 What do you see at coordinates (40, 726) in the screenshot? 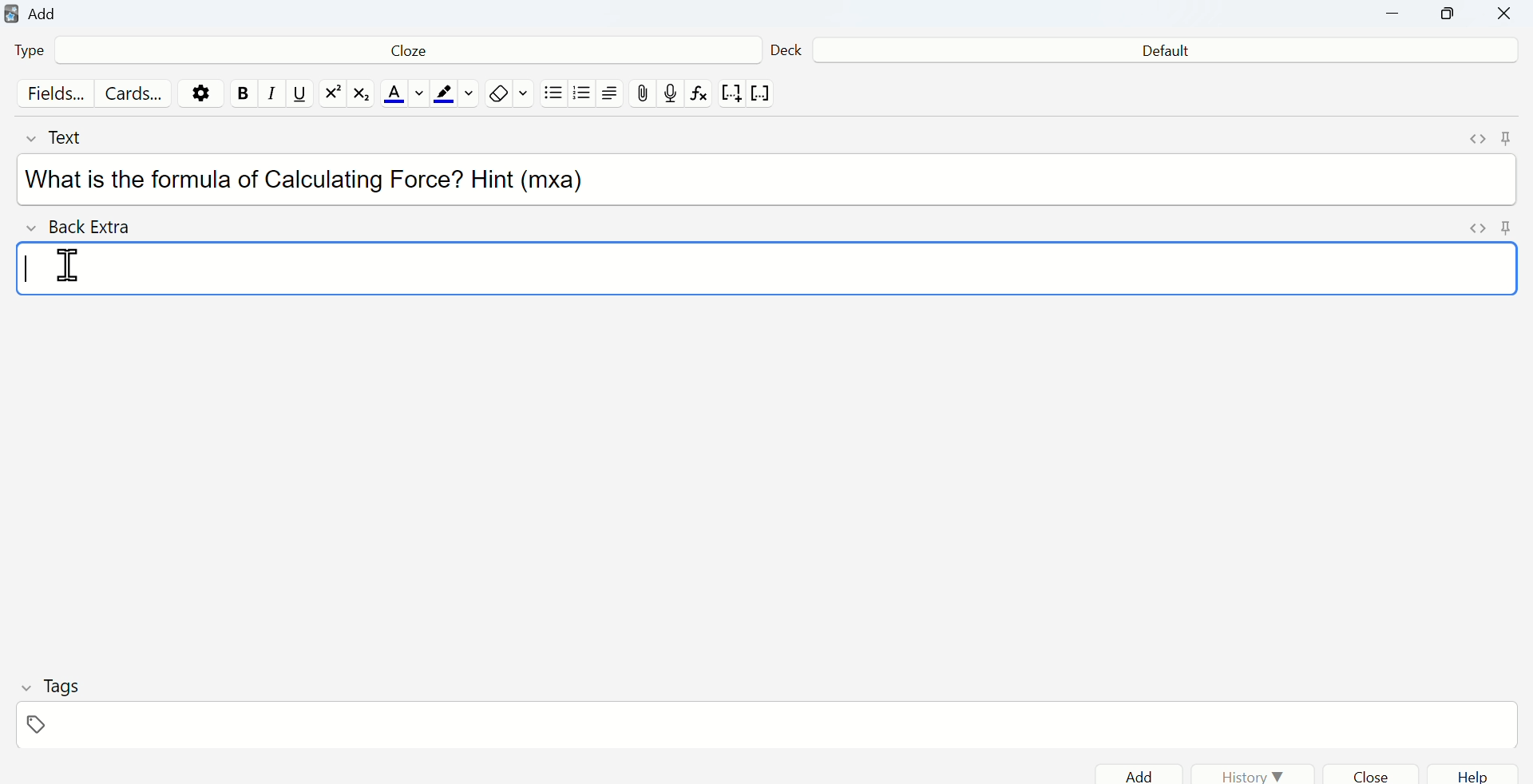
I see `Tag` at bounding box center [40, 726].